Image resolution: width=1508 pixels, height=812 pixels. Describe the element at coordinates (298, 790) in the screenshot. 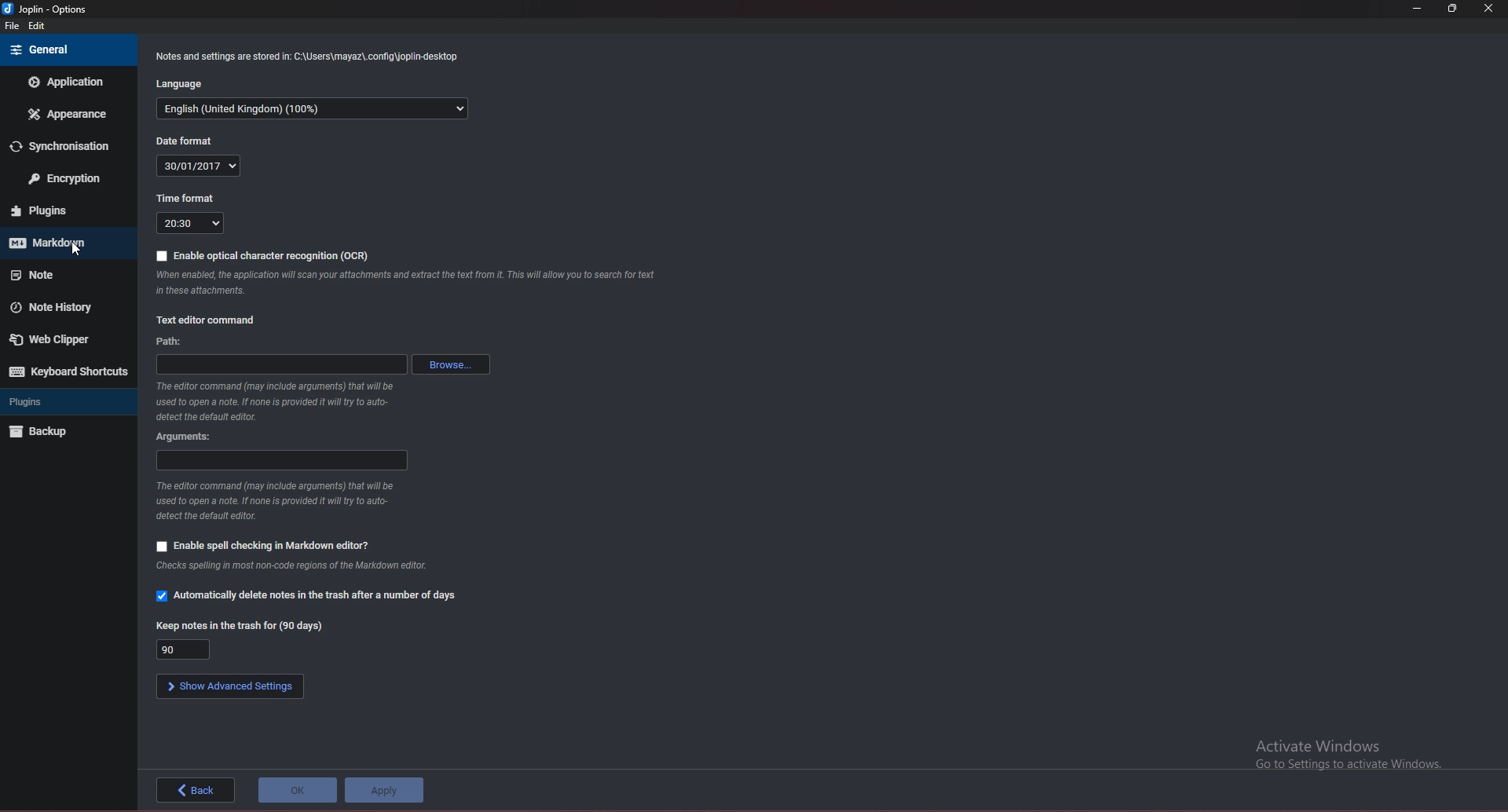

I see `ok` at that location.